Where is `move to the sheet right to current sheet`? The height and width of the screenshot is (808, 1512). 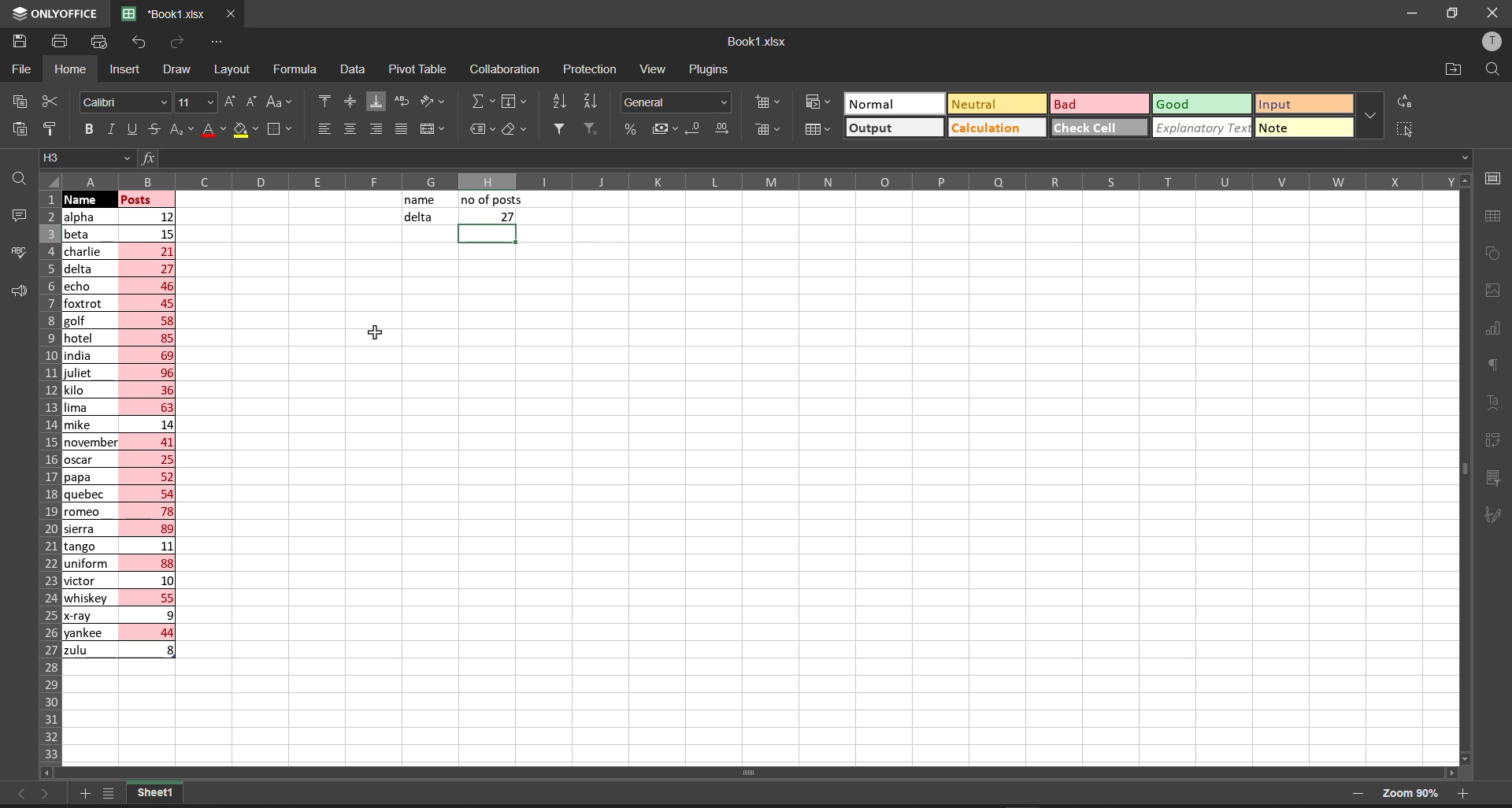 move to the sheet right to current sheet is located at coordinates (48, 797).